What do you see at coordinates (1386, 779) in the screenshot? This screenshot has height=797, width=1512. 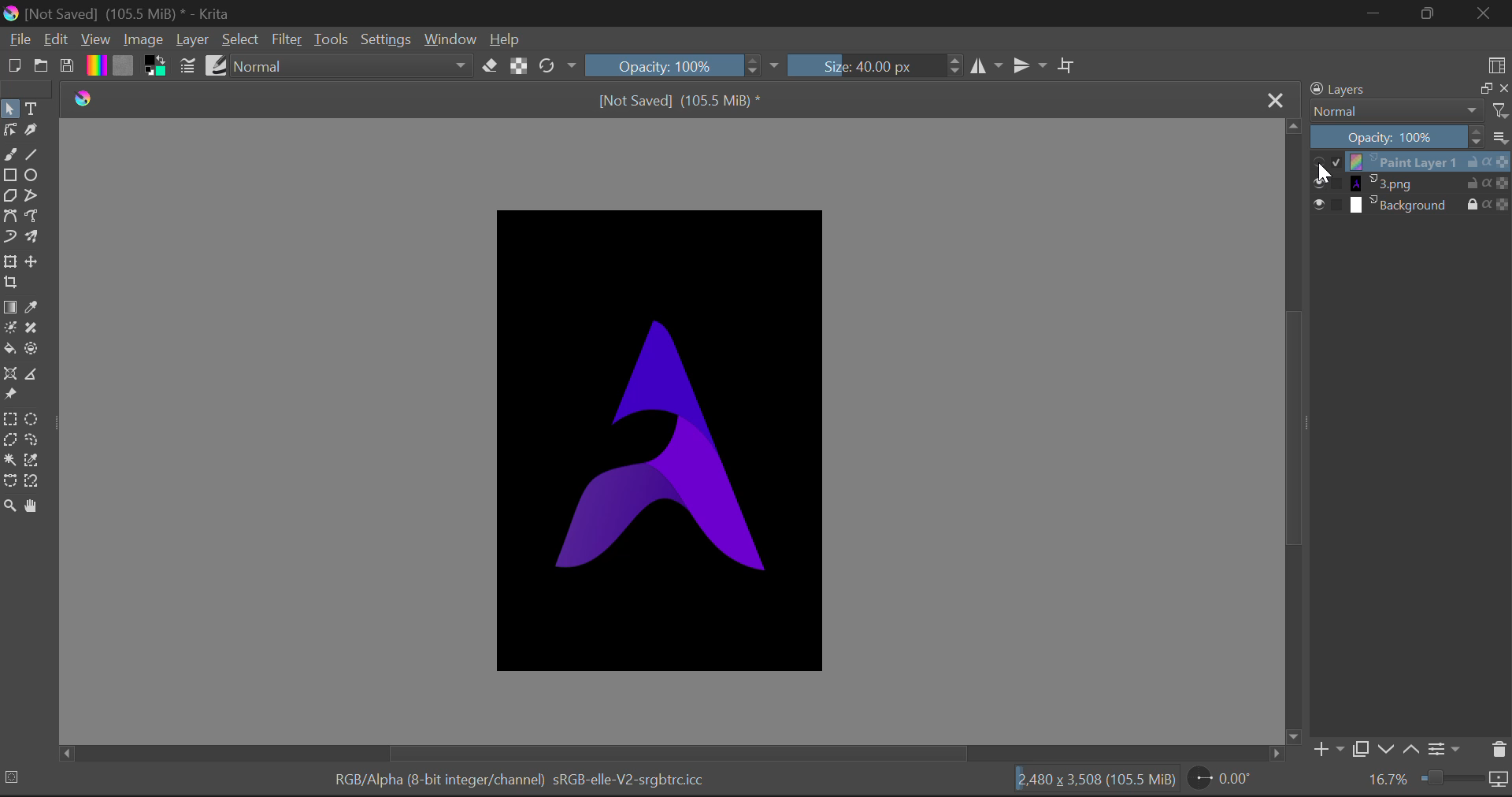 I see `16.7%` at bounding box center [1386, 779].